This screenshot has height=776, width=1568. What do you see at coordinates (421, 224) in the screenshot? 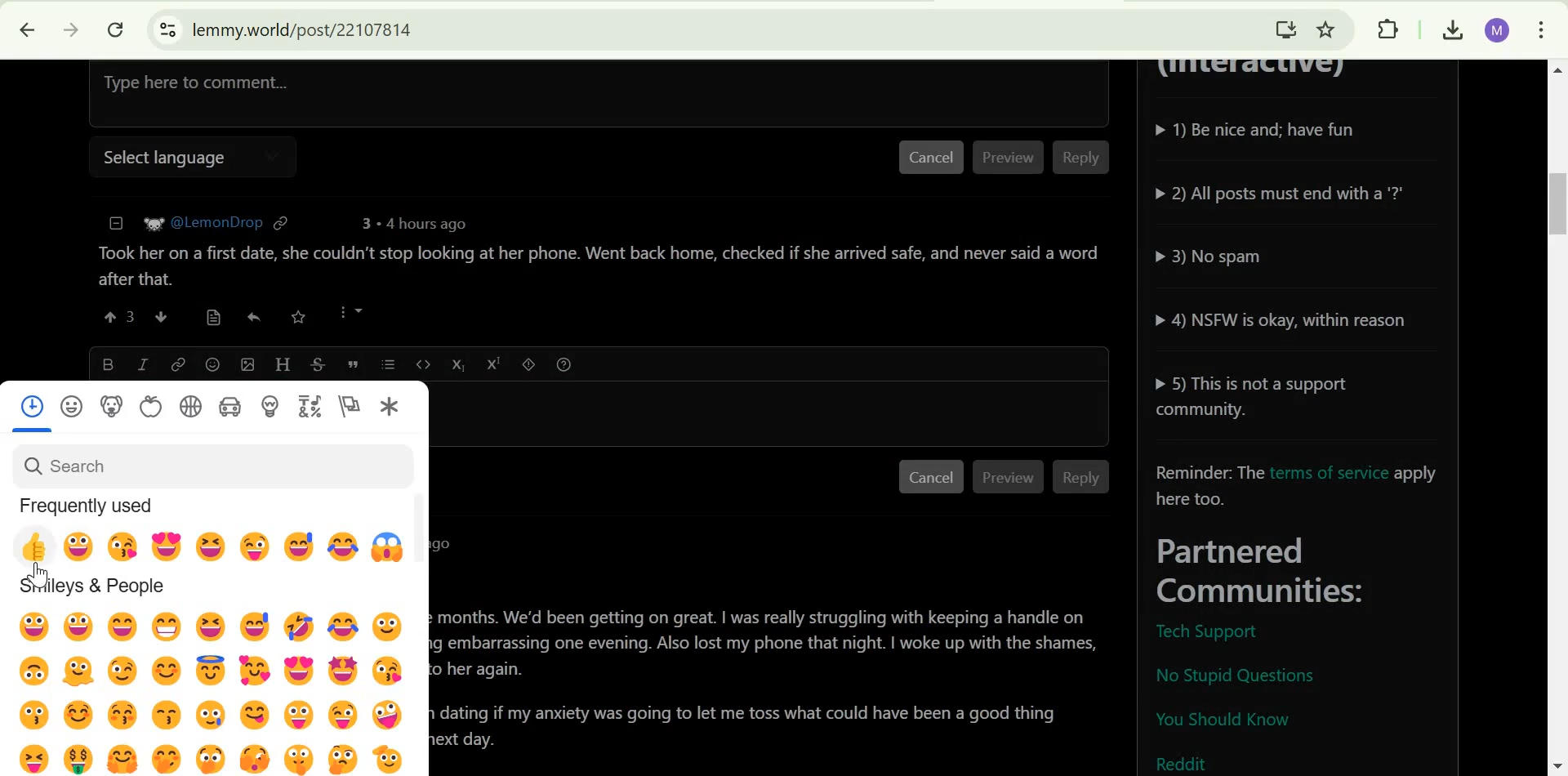
I see `4 hours ago` at bounding box center [421, 224].